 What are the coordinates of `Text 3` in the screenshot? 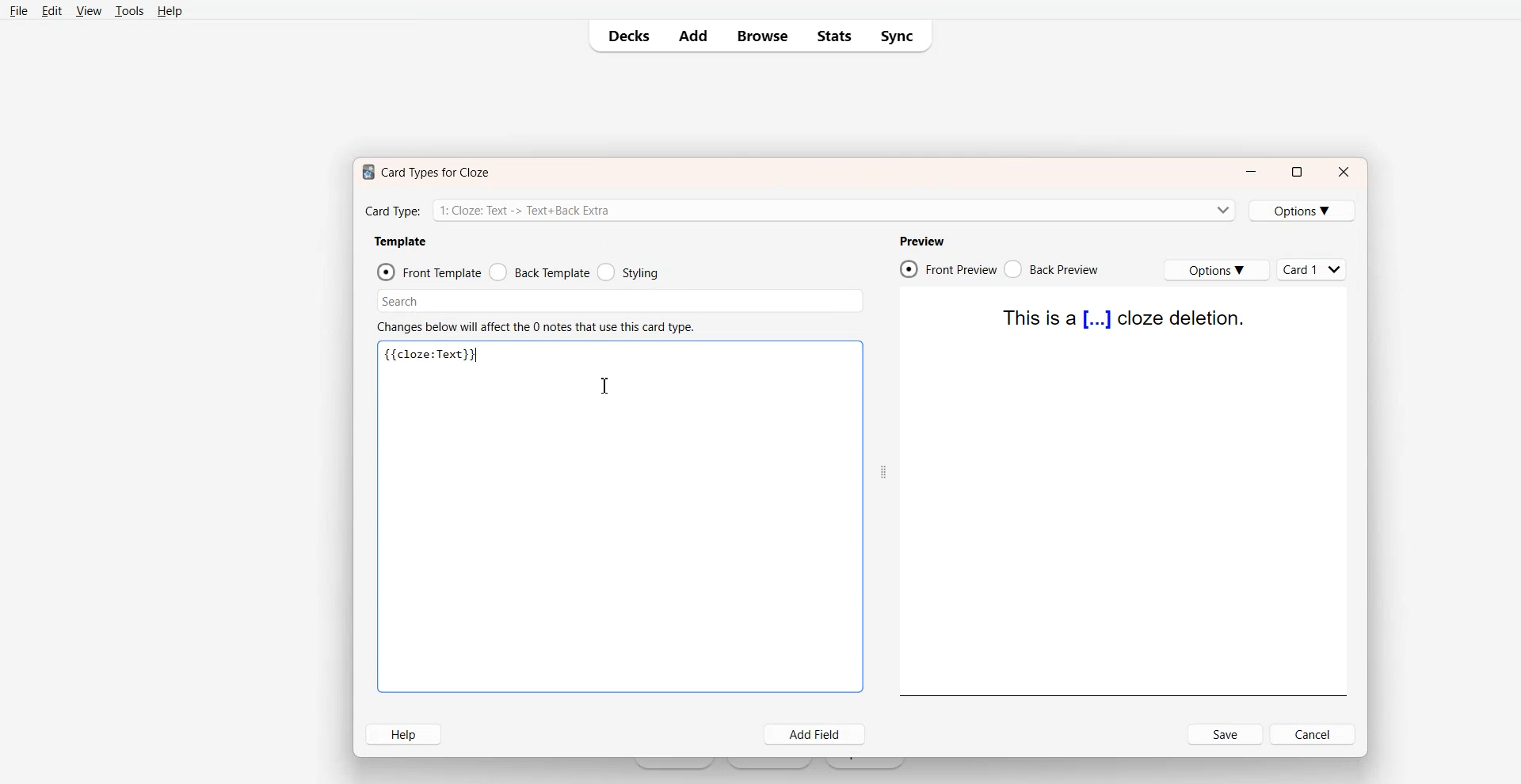 It's located at (433, 356).